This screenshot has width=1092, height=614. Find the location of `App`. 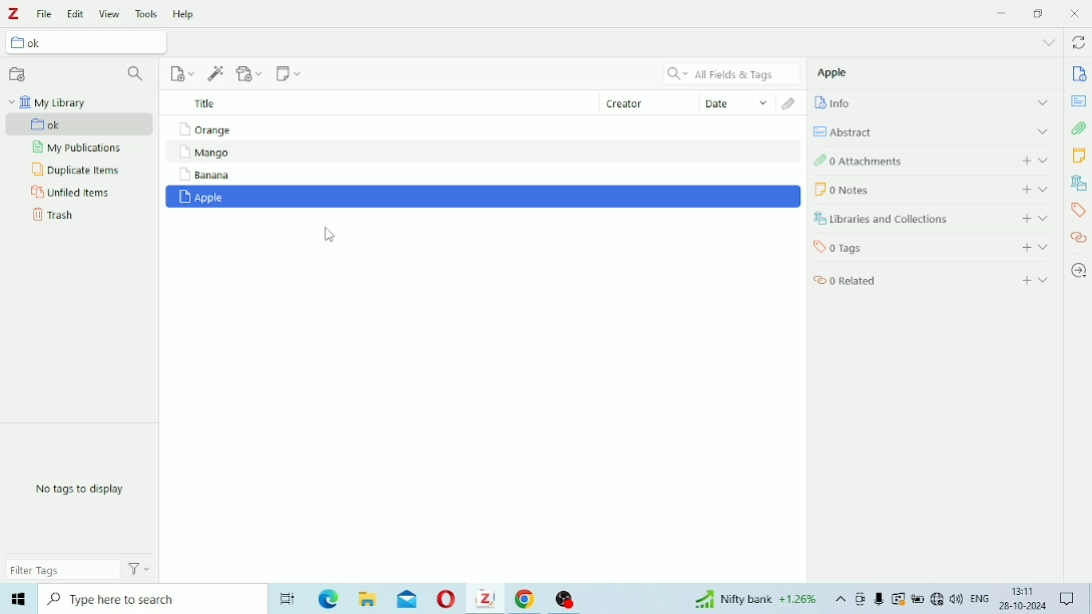

App is located at coordinates (569, 596).